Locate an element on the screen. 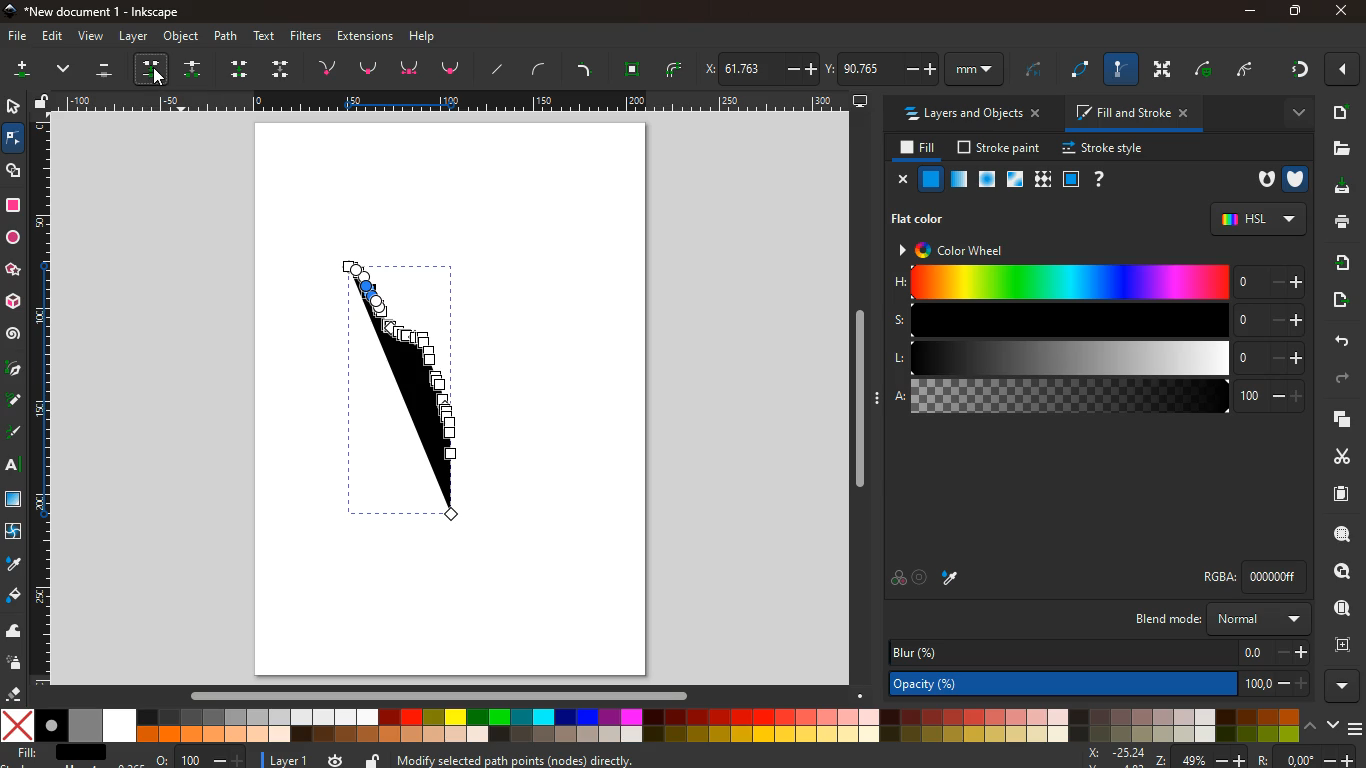 The height and width of the screenshot is (768, 1366). Close is located at coordinates (1341, 11).